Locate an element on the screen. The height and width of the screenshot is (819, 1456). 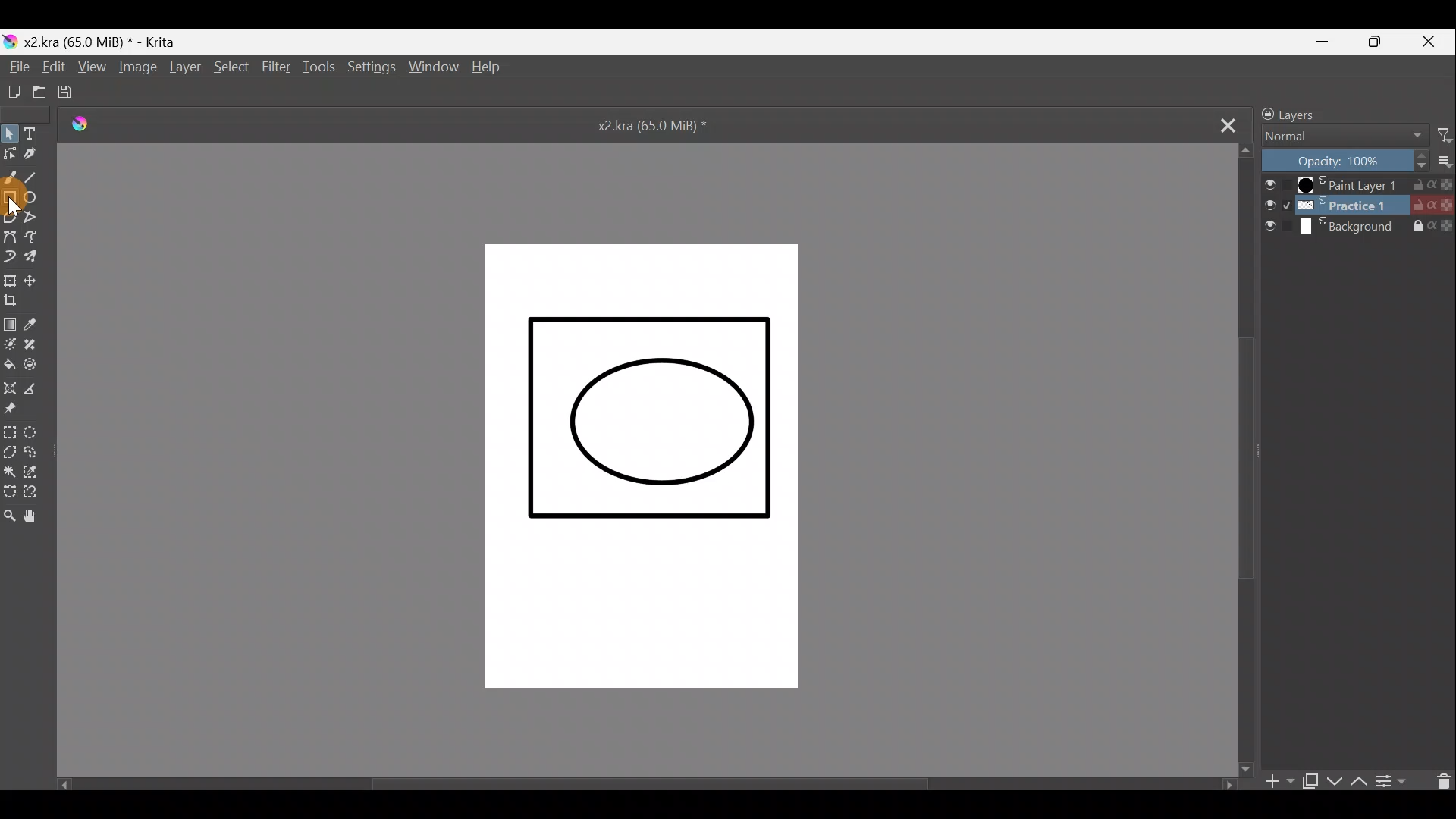
Opacity: 100% is located at coordinates (1346, 160).